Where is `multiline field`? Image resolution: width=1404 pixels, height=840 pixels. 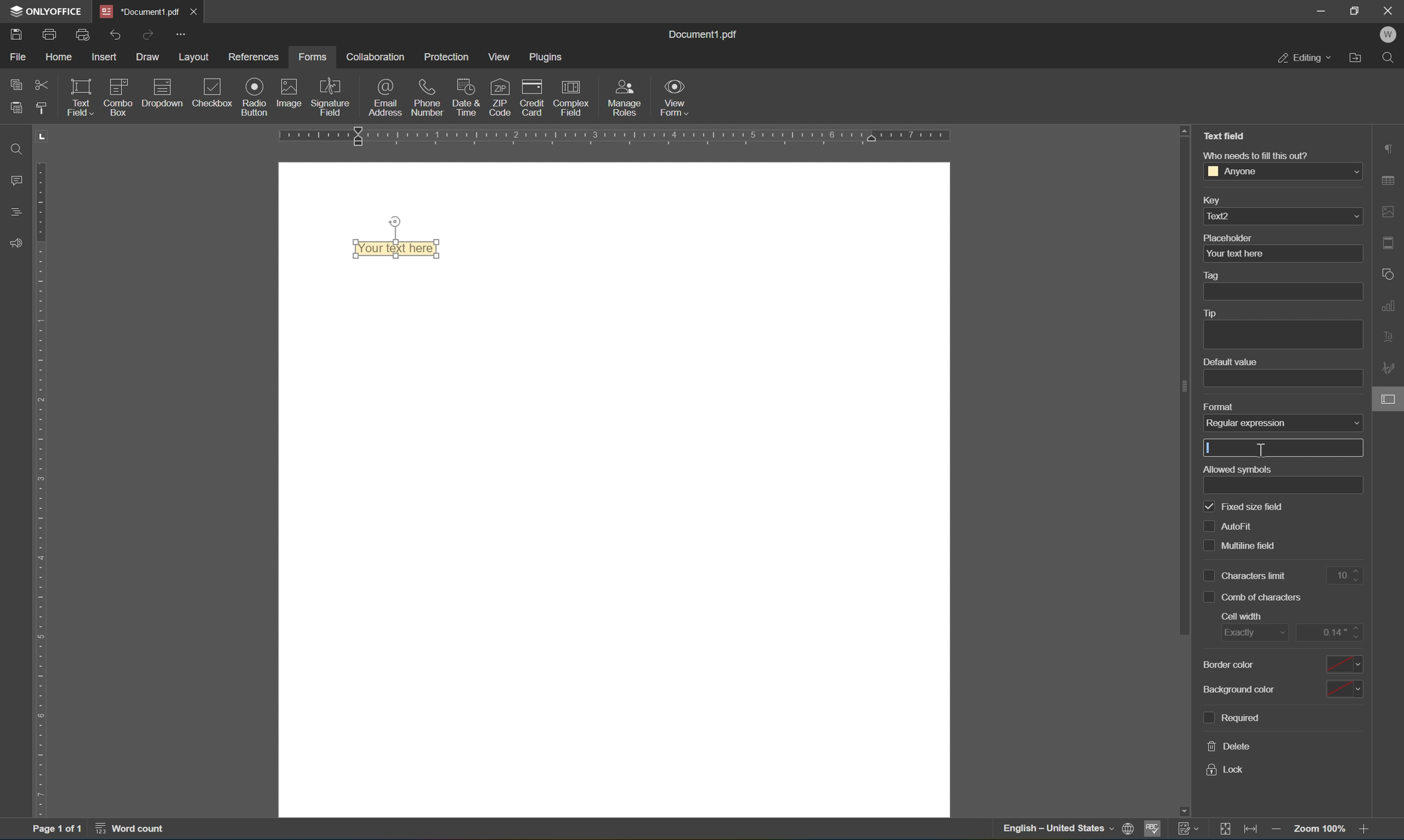
multiline field is located at coordinates (1241, 544).